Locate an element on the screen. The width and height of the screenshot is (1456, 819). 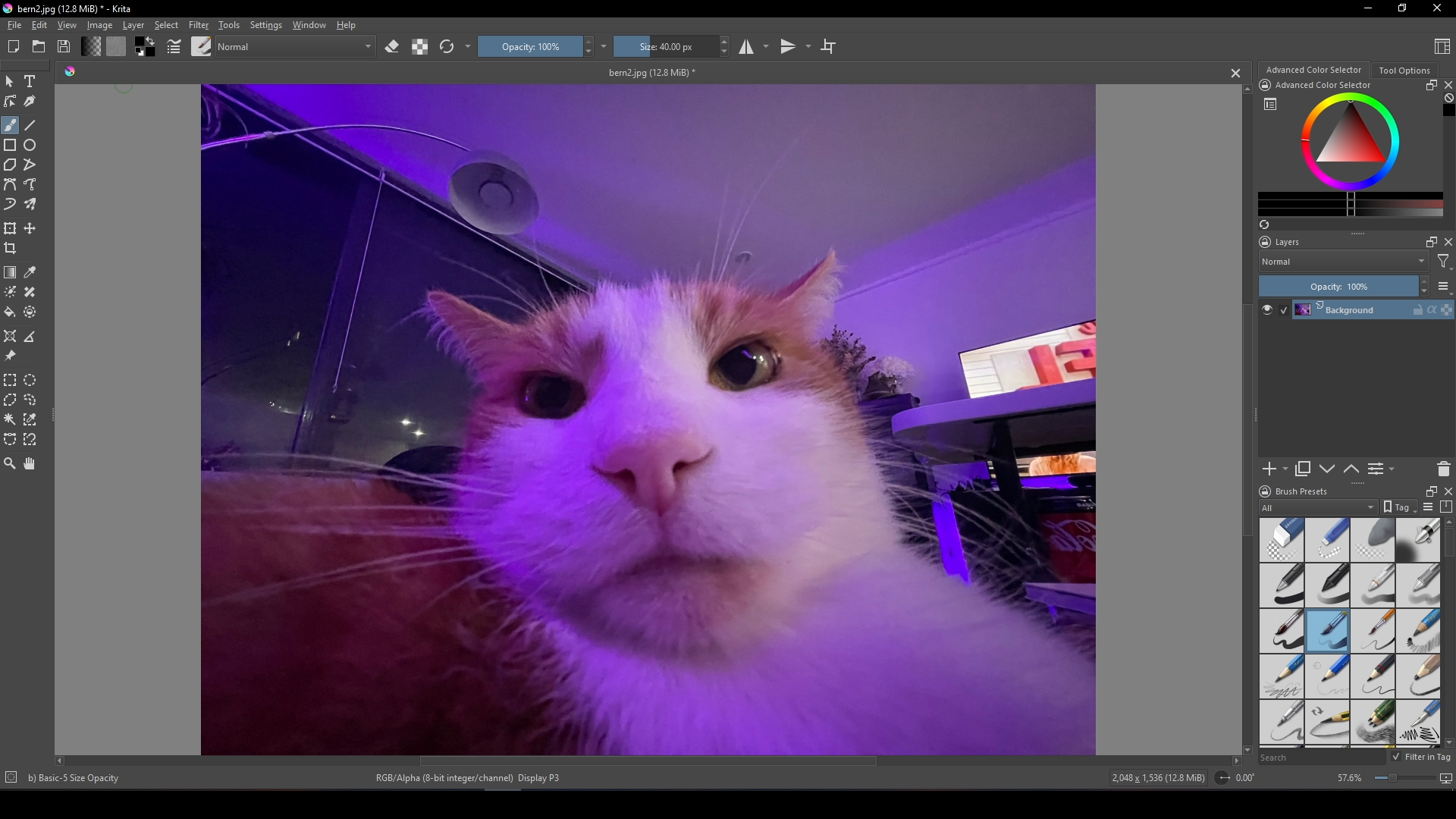
Circular selection tool is located at coordinates (30, 380).